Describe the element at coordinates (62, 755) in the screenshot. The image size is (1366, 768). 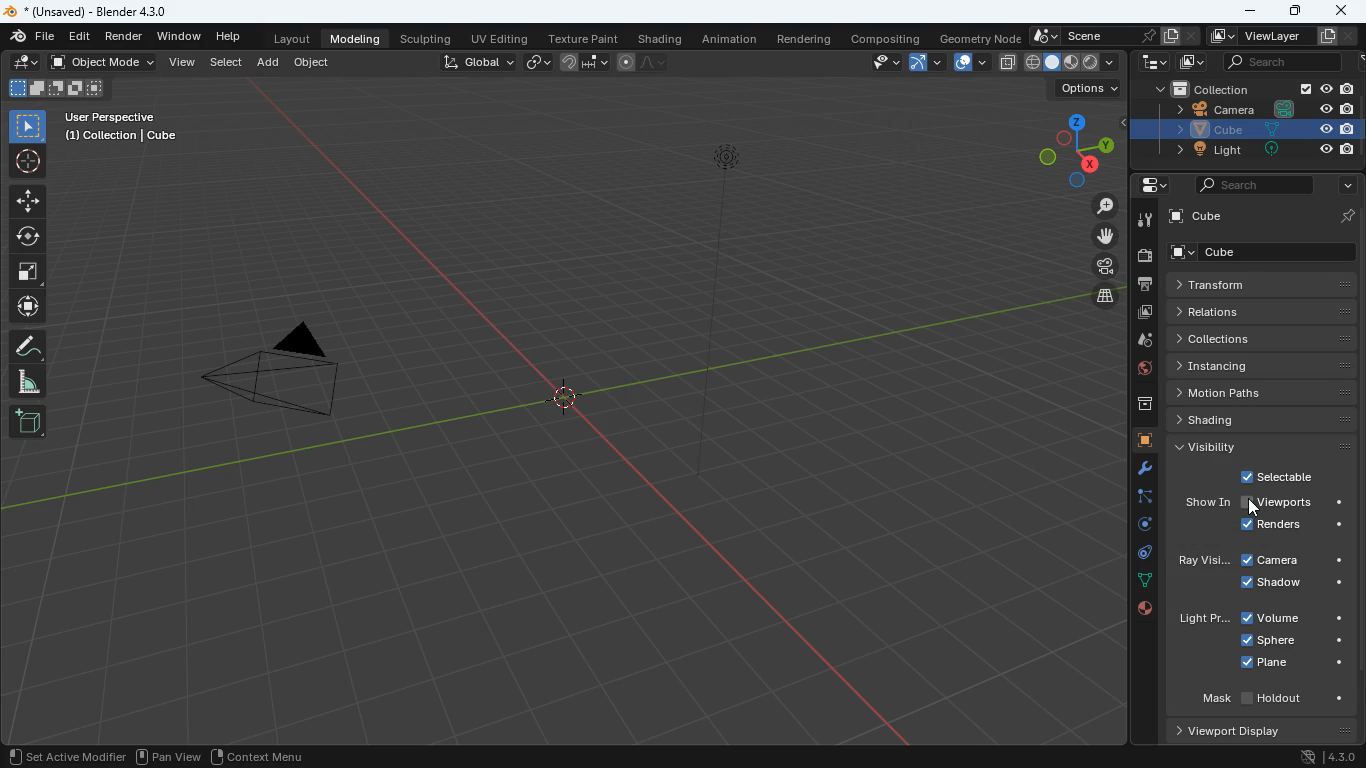
I see `set achive modifier` at that location.